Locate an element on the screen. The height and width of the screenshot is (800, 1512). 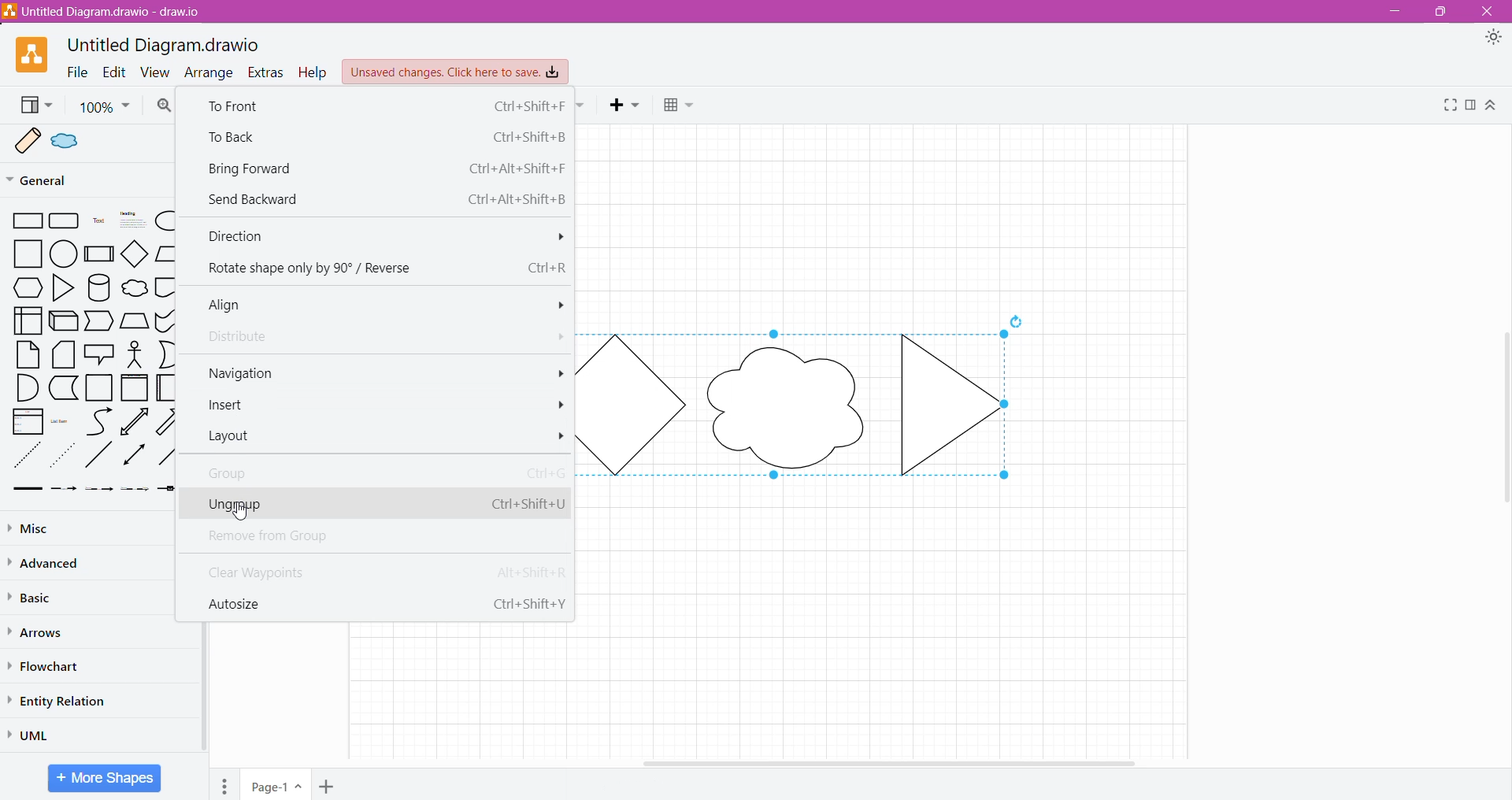
Align is located at coordinates (387, 307).